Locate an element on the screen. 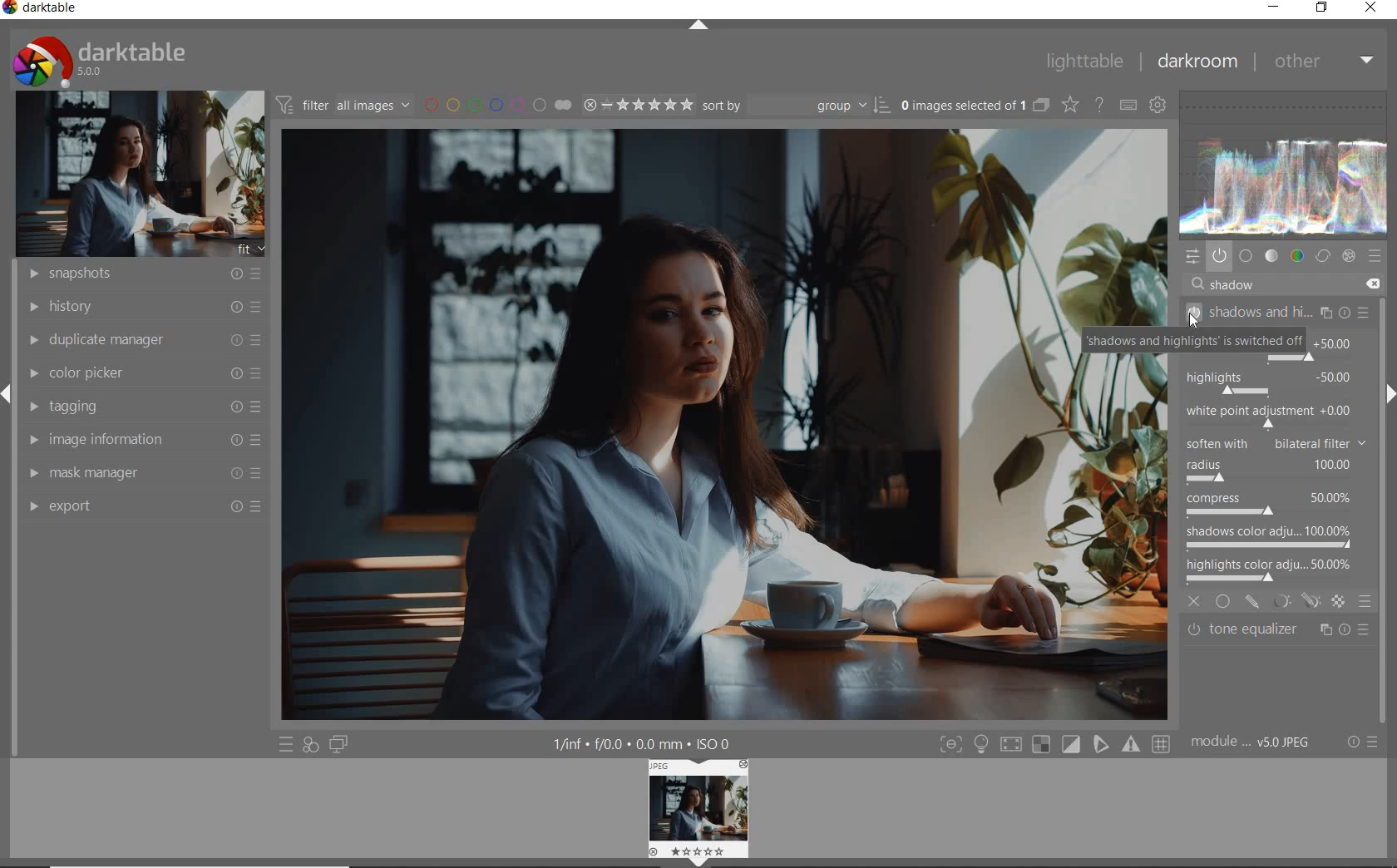  display a second darkroom image widow is located at coordinates (342, 746).